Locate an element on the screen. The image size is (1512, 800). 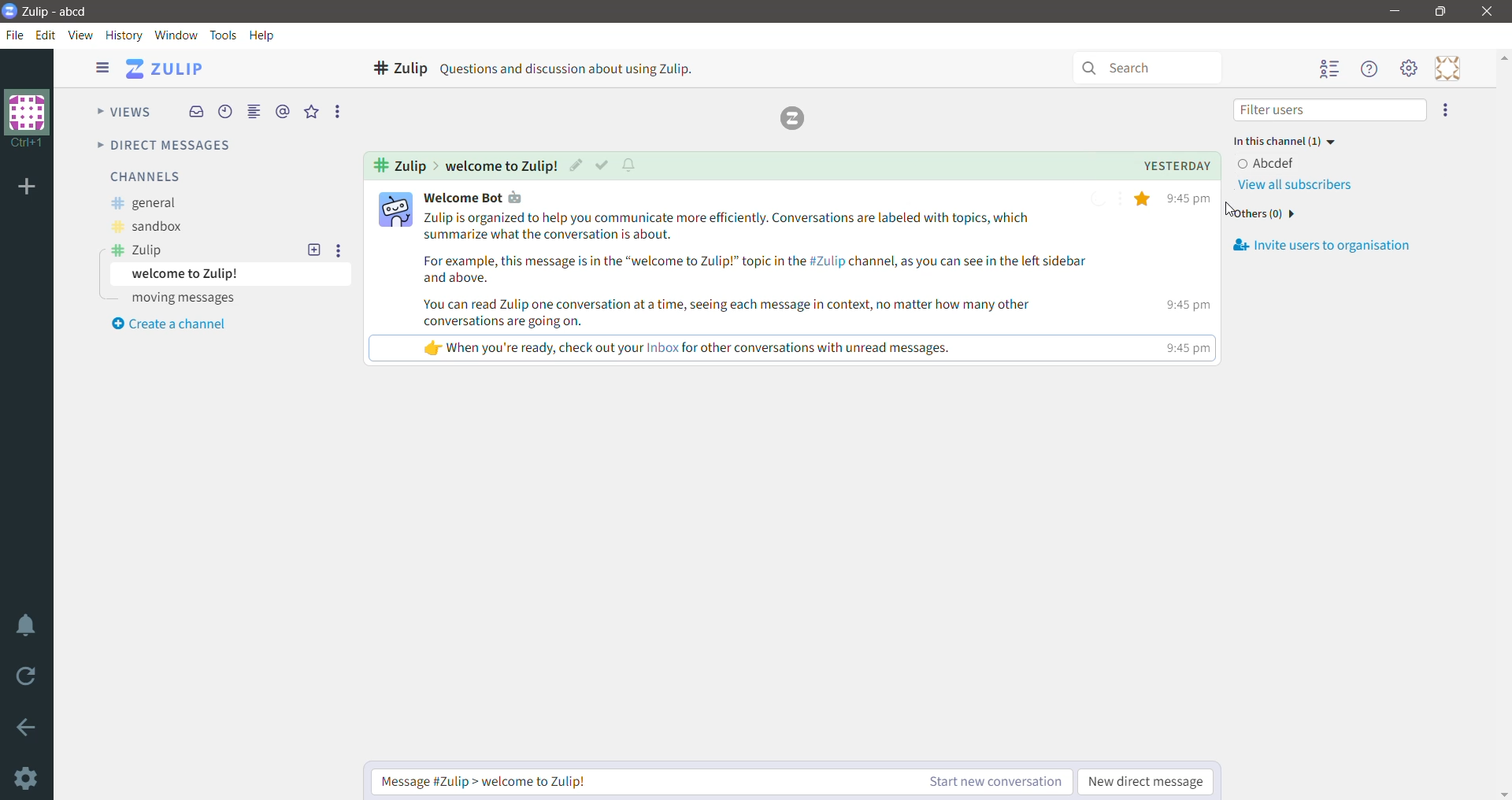
Message Topic is located at coordinates (497, 166).